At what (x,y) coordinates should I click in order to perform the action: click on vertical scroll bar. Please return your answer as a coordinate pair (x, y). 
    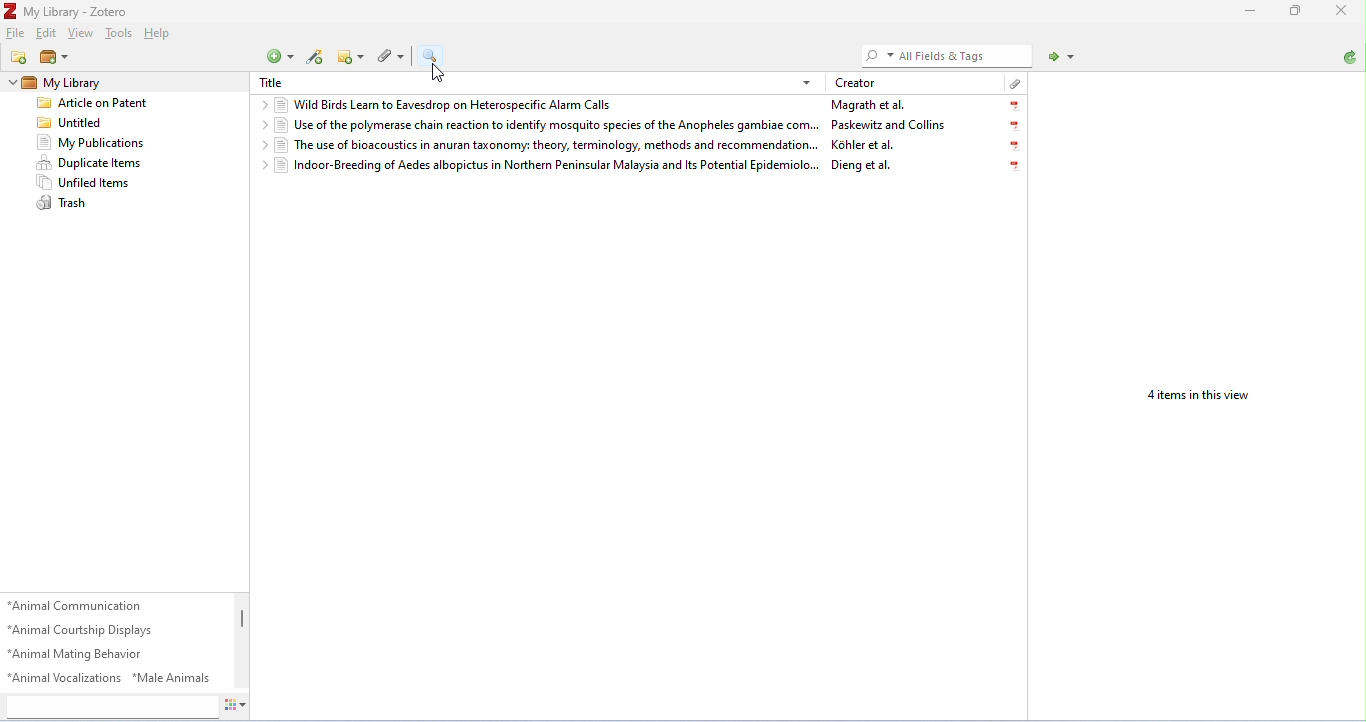
    Looking at the image, I should click on (239, 622).